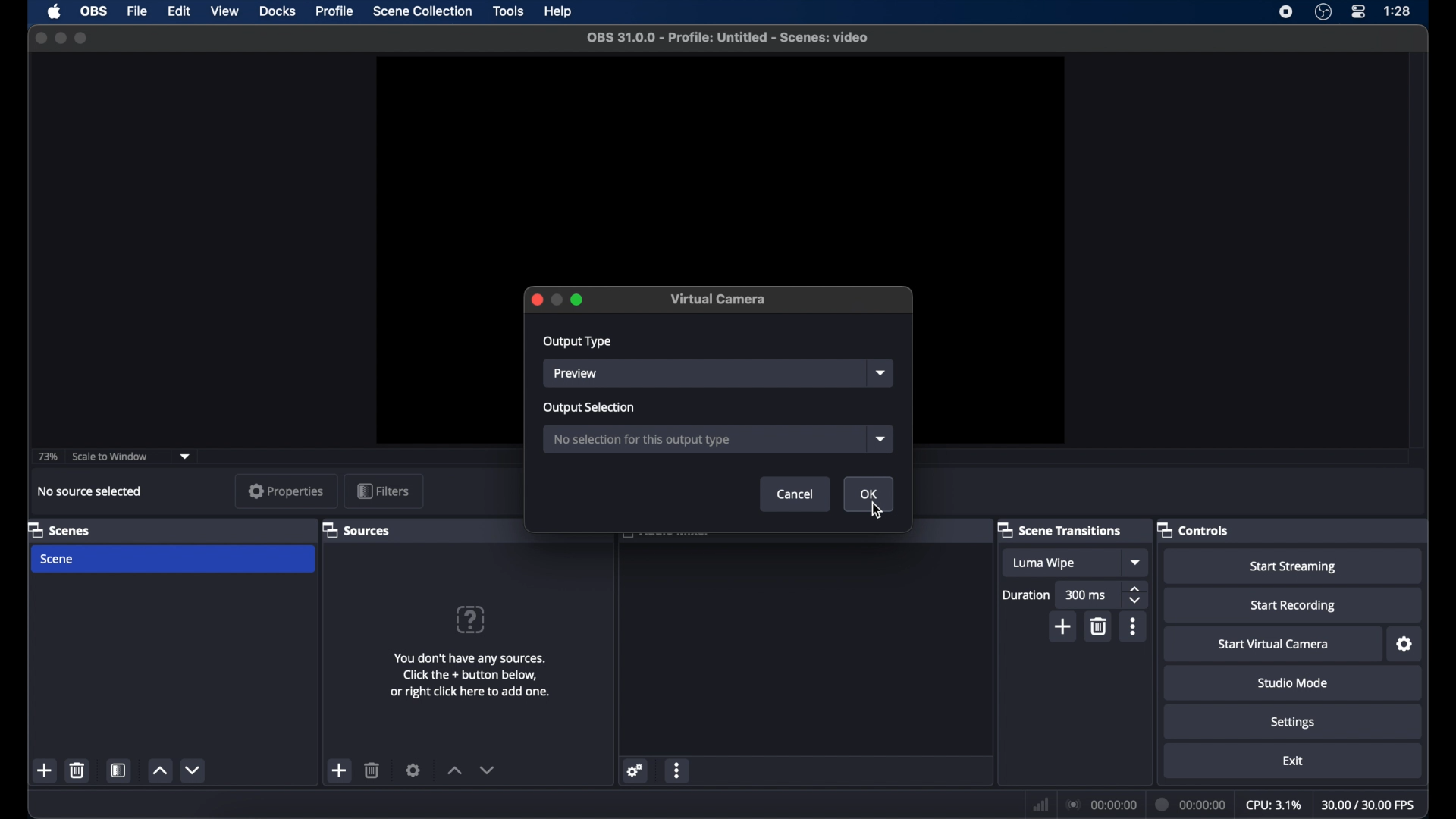 This screenshot has width=1456, height=819. Describe the element at coordinates (413, 770) in the screenshot. I see `settings` at that location.